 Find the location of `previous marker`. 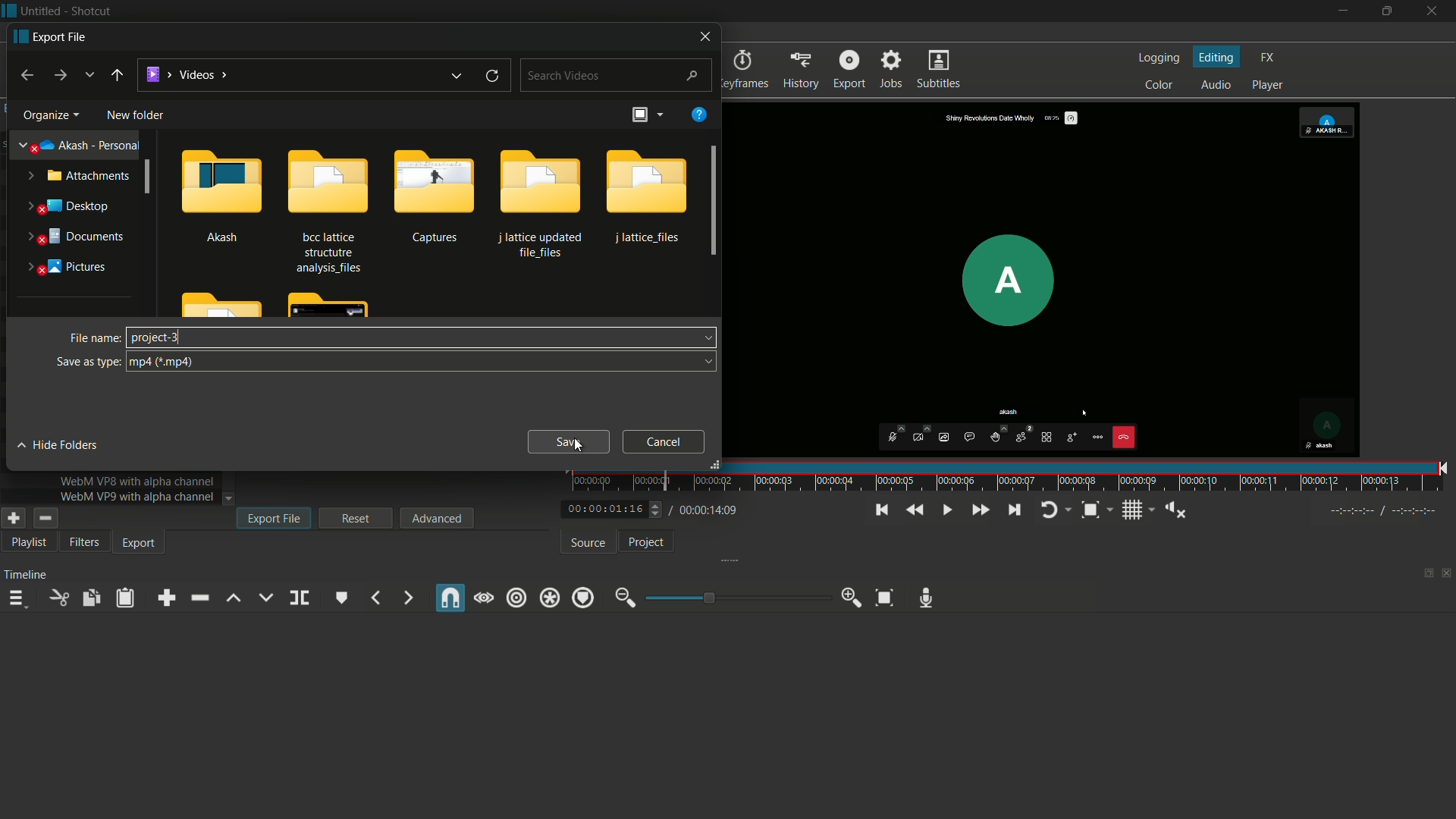

previous marker is located at coordinates (375, 598).